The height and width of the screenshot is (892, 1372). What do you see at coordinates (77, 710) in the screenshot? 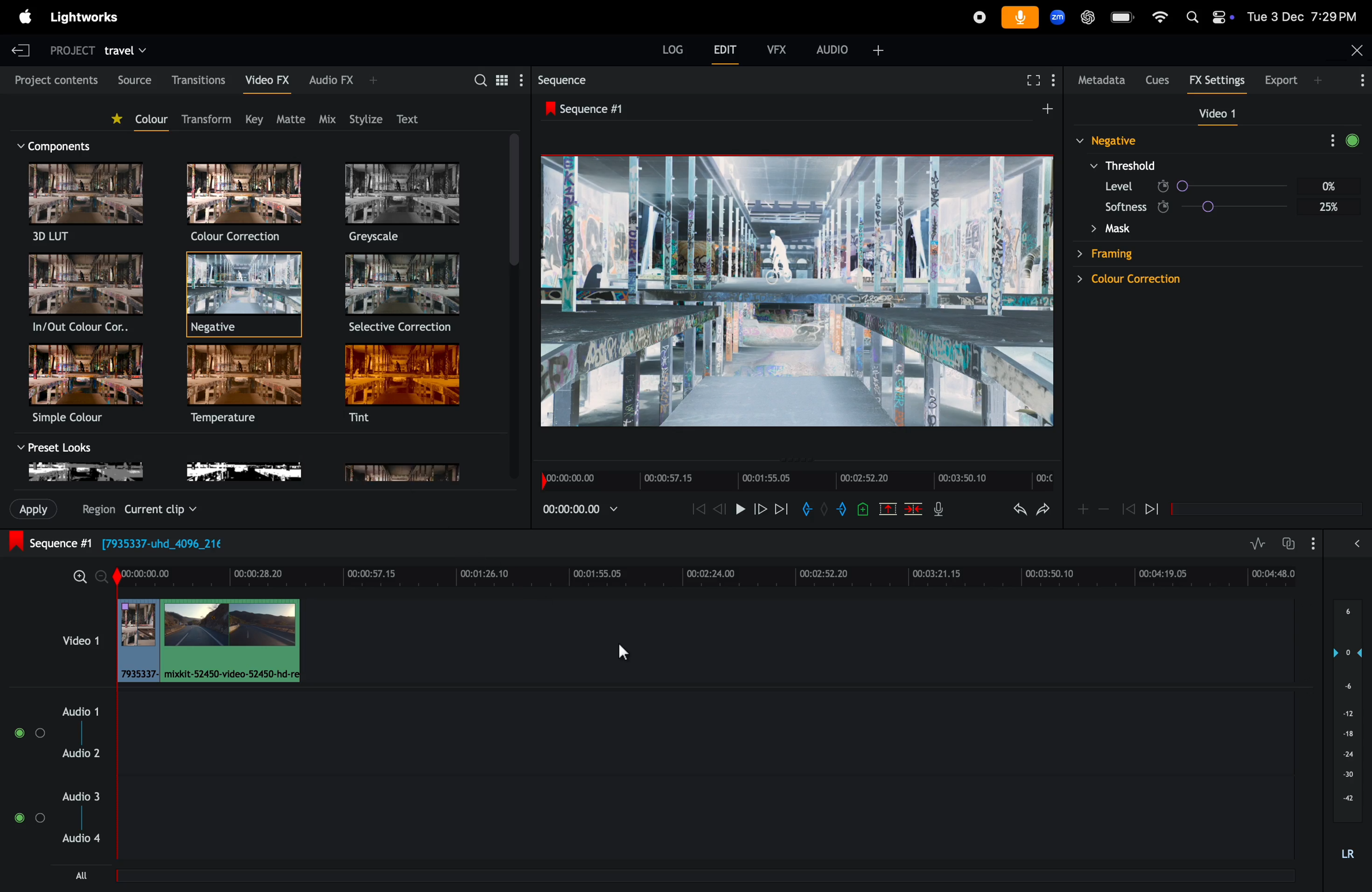
I see `audio 1` at bounding box center [77, 710].